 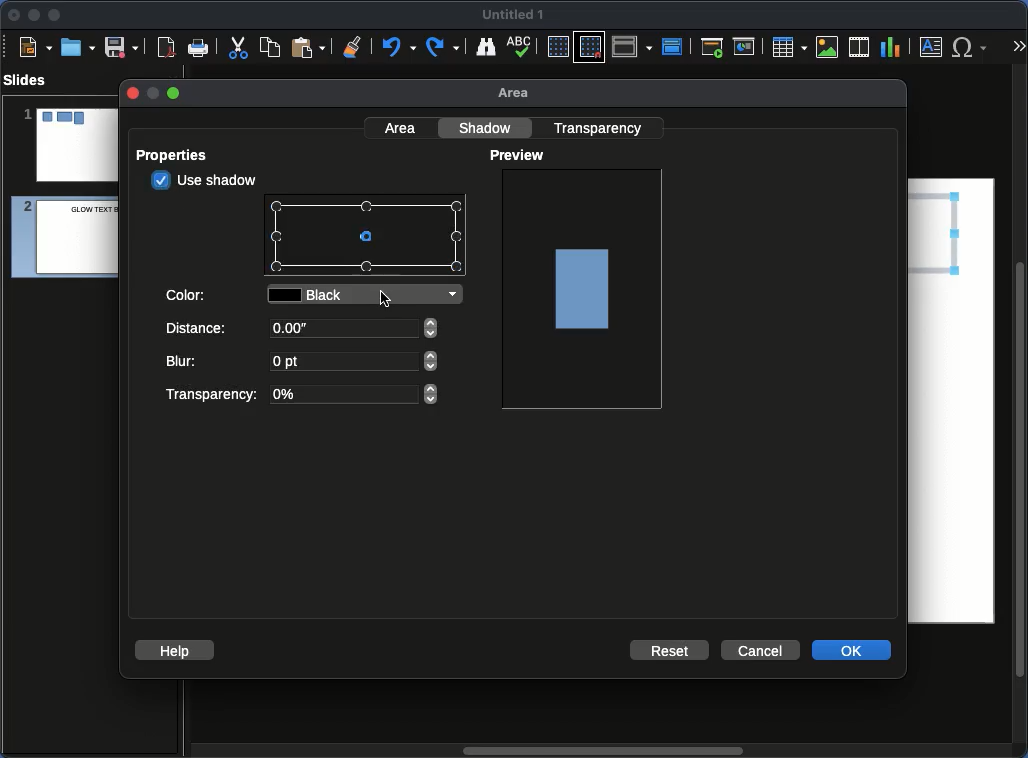 What do you see at coordinates (131, 93) in the screenshot?
I see `close` at bounding box center [131, 93].